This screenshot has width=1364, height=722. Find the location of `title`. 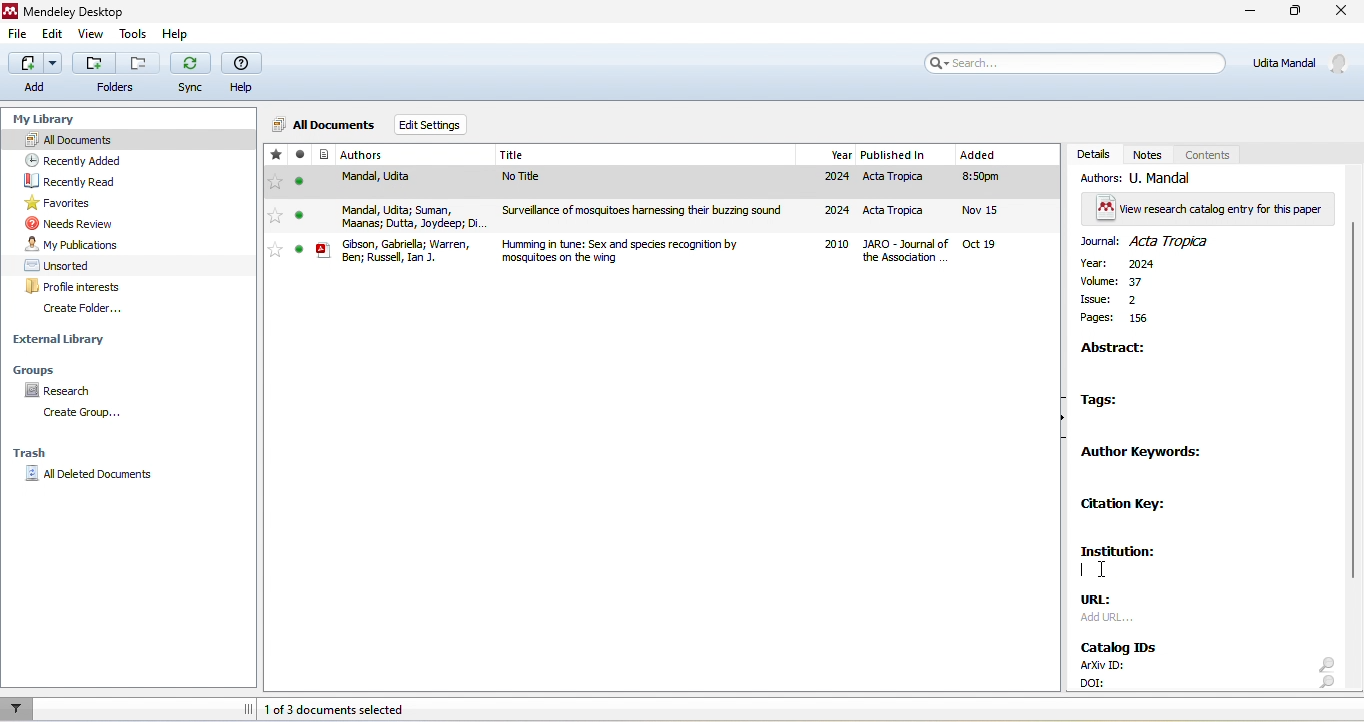

title is located at coordinates (66, 10).